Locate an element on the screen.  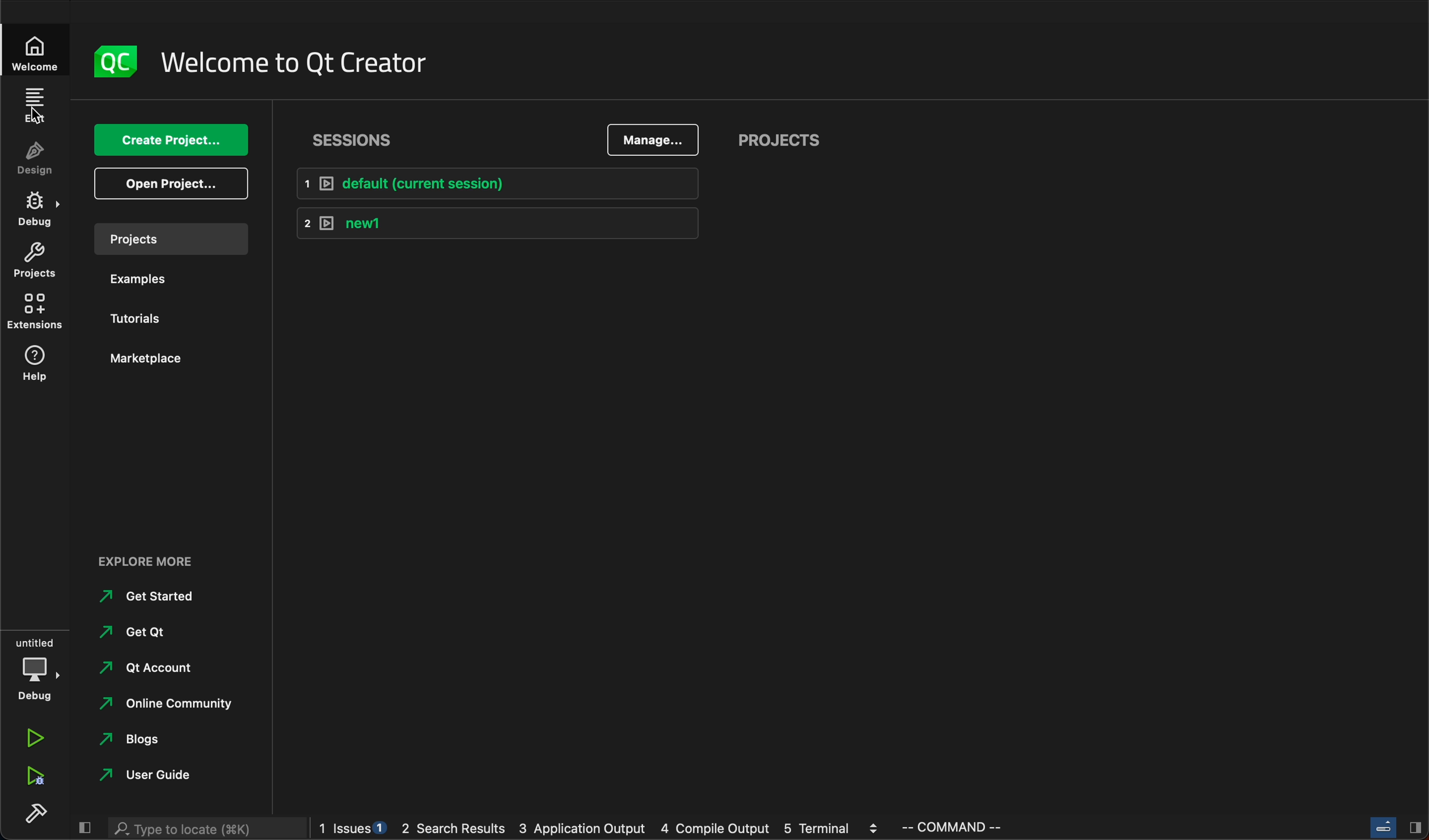
sessions is located at coordinates (349, 135).